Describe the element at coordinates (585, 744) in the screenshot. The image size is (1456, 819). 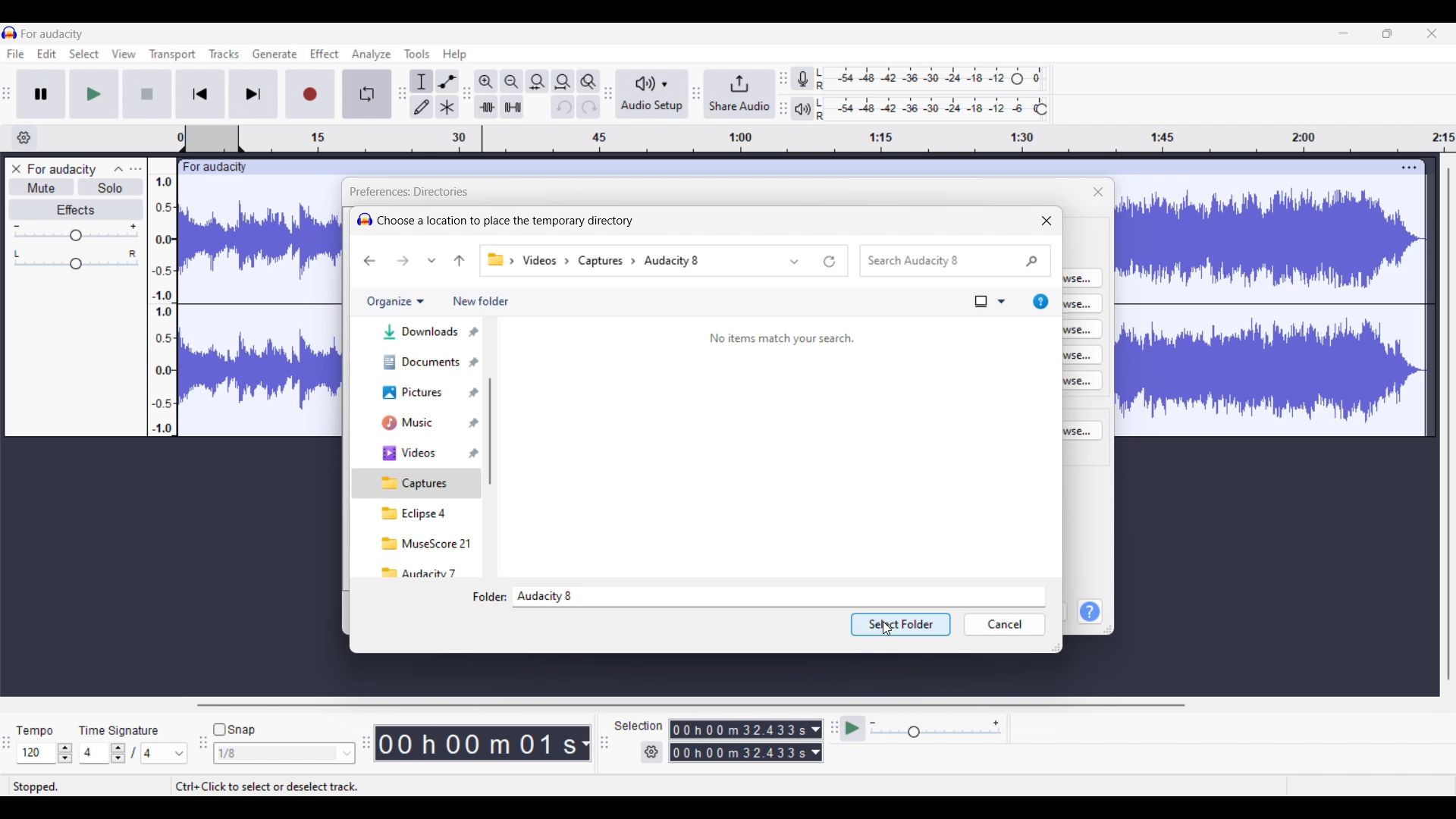
I see `Measurement` at that location.